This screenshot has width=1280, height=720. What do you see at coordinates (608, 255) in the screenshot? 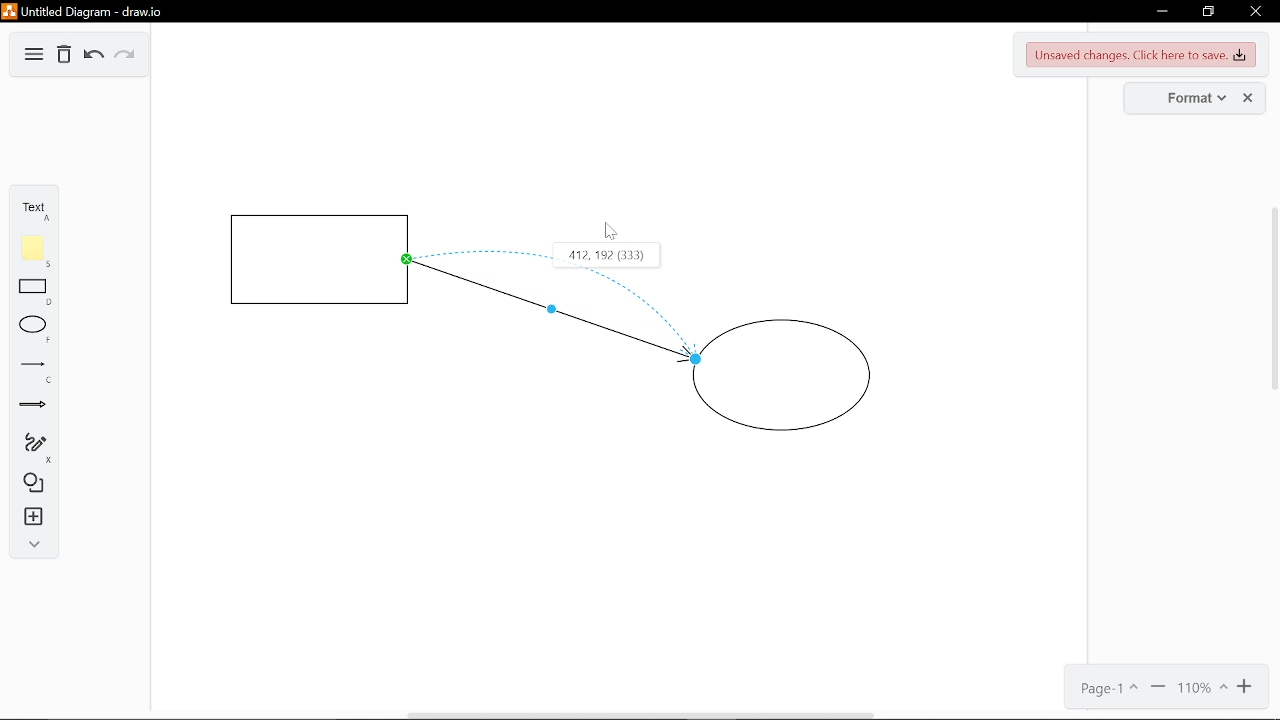
I see `412.192 (333)` at bounding box center [608, 255].